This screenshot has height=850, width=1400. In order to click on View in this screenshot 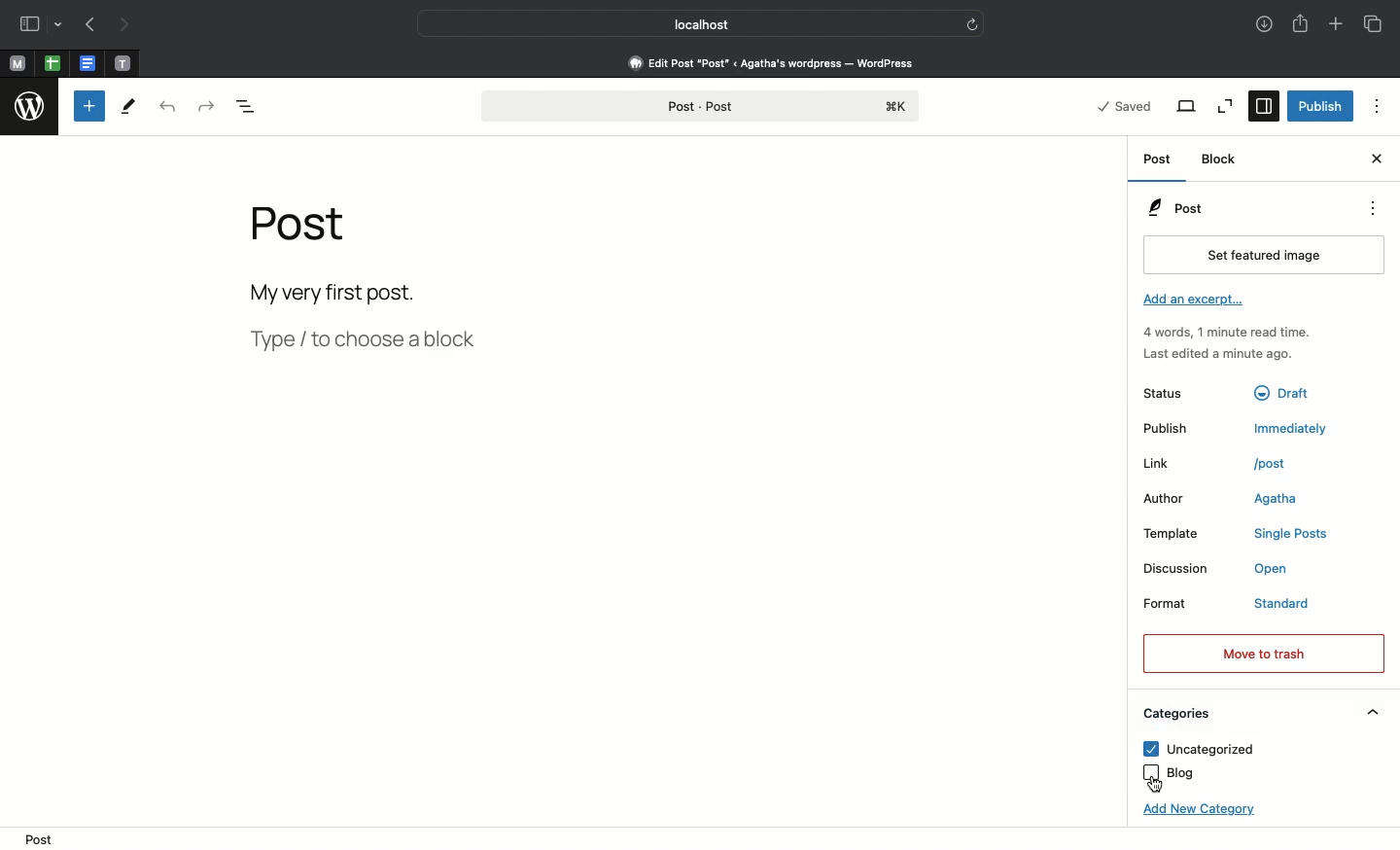, I will do `click(1187, 106)`.